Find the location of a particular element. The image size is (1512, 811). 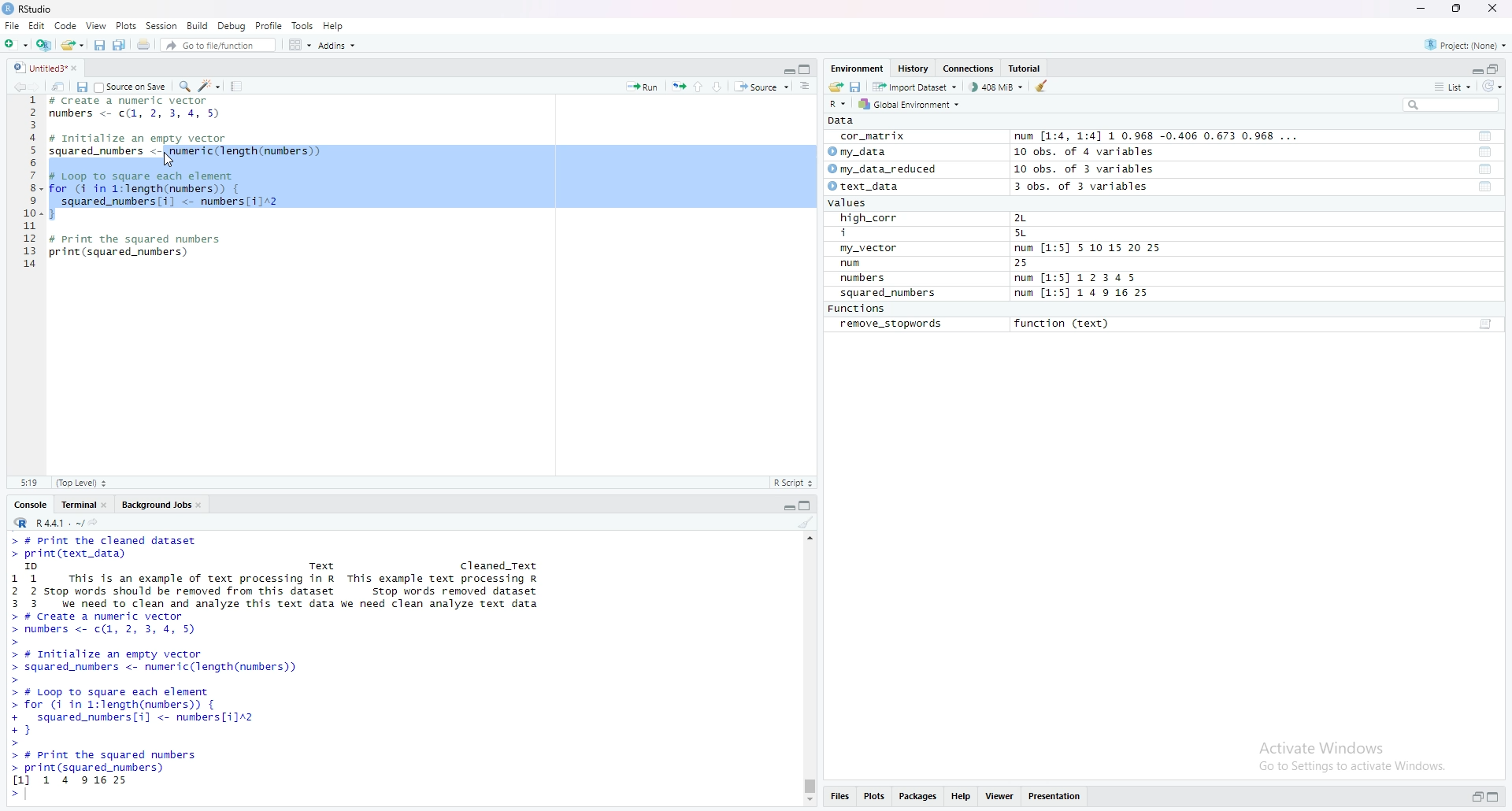

Go to file/function is located at coordinates (217, 43).